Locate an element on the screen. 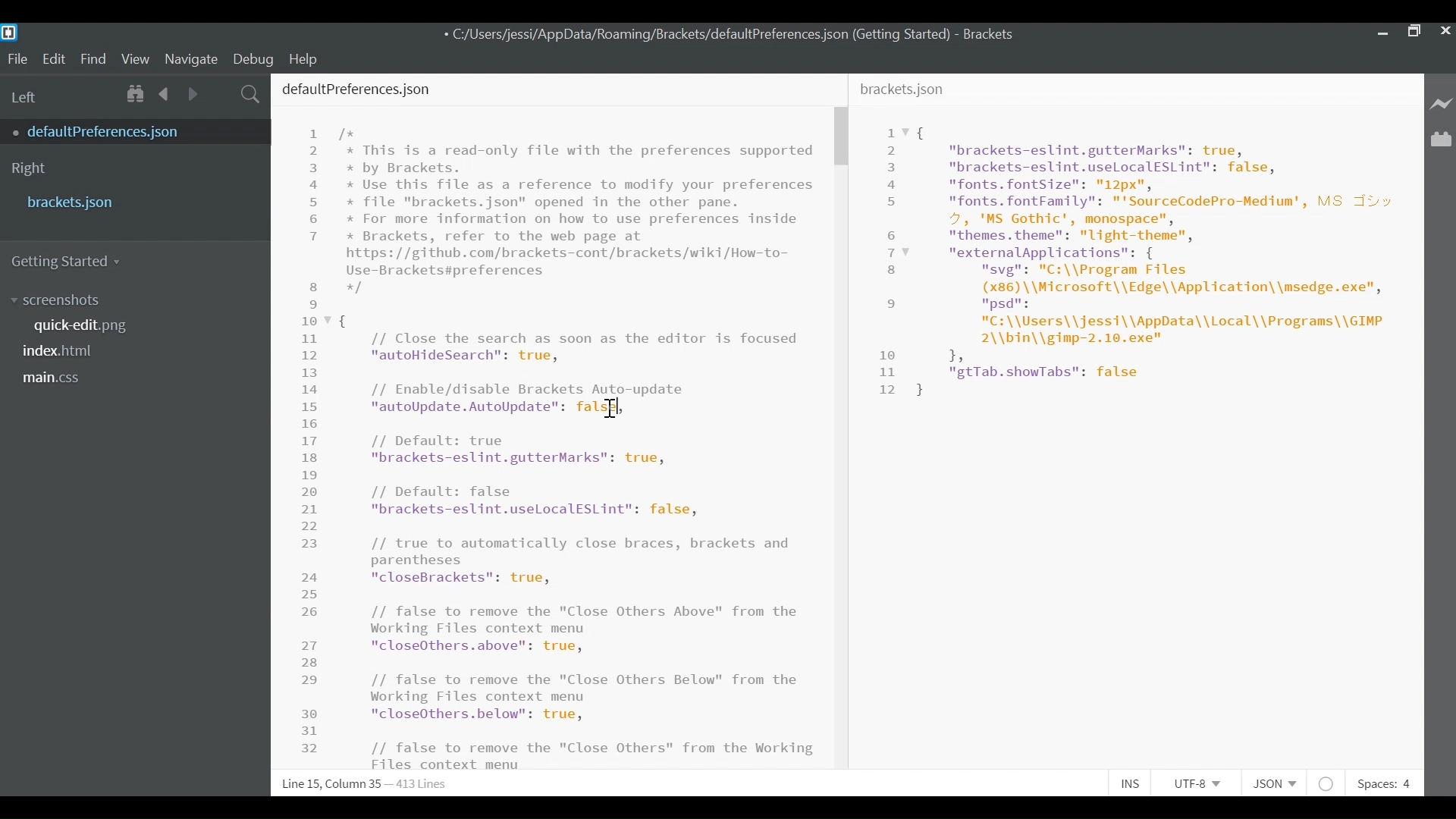  Restore is located at coordinates (1414, 30).